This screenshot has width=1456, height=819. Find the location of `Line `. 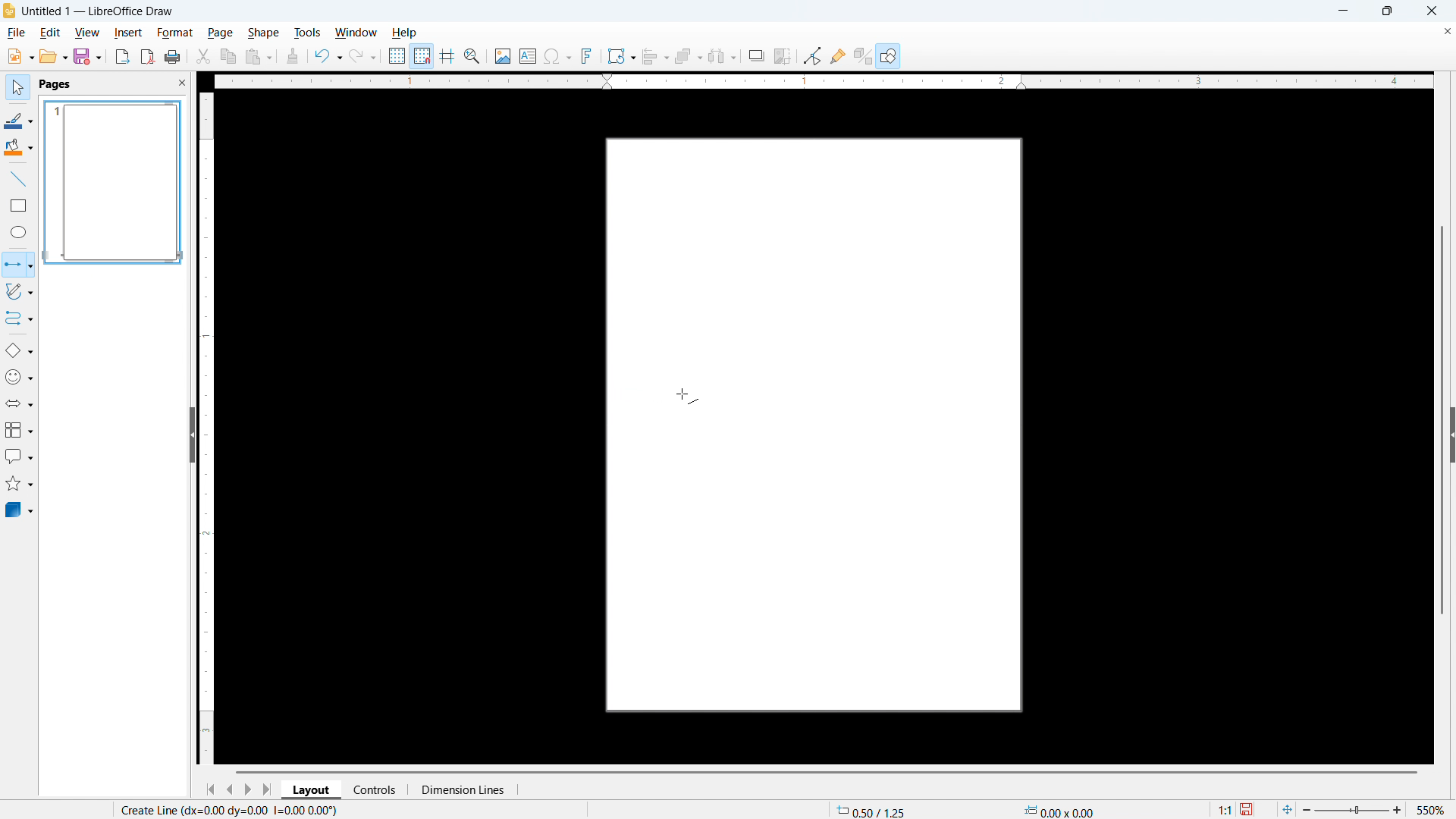

Line  is located at coordinates (19, 180).